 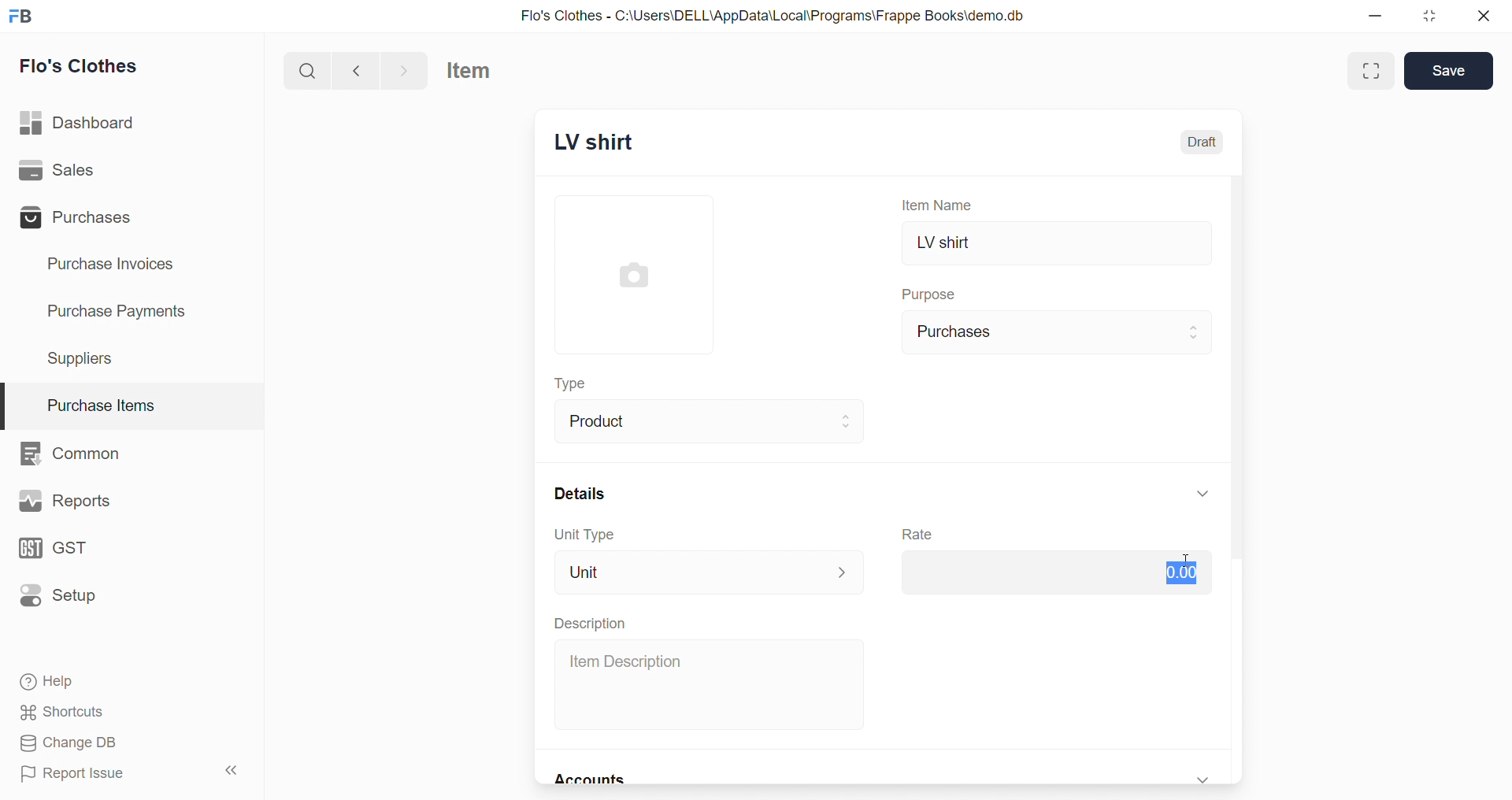 What do you see at coordinates (306, 69) in the screenshot?
I see `search` at bounding box center [306, 69].